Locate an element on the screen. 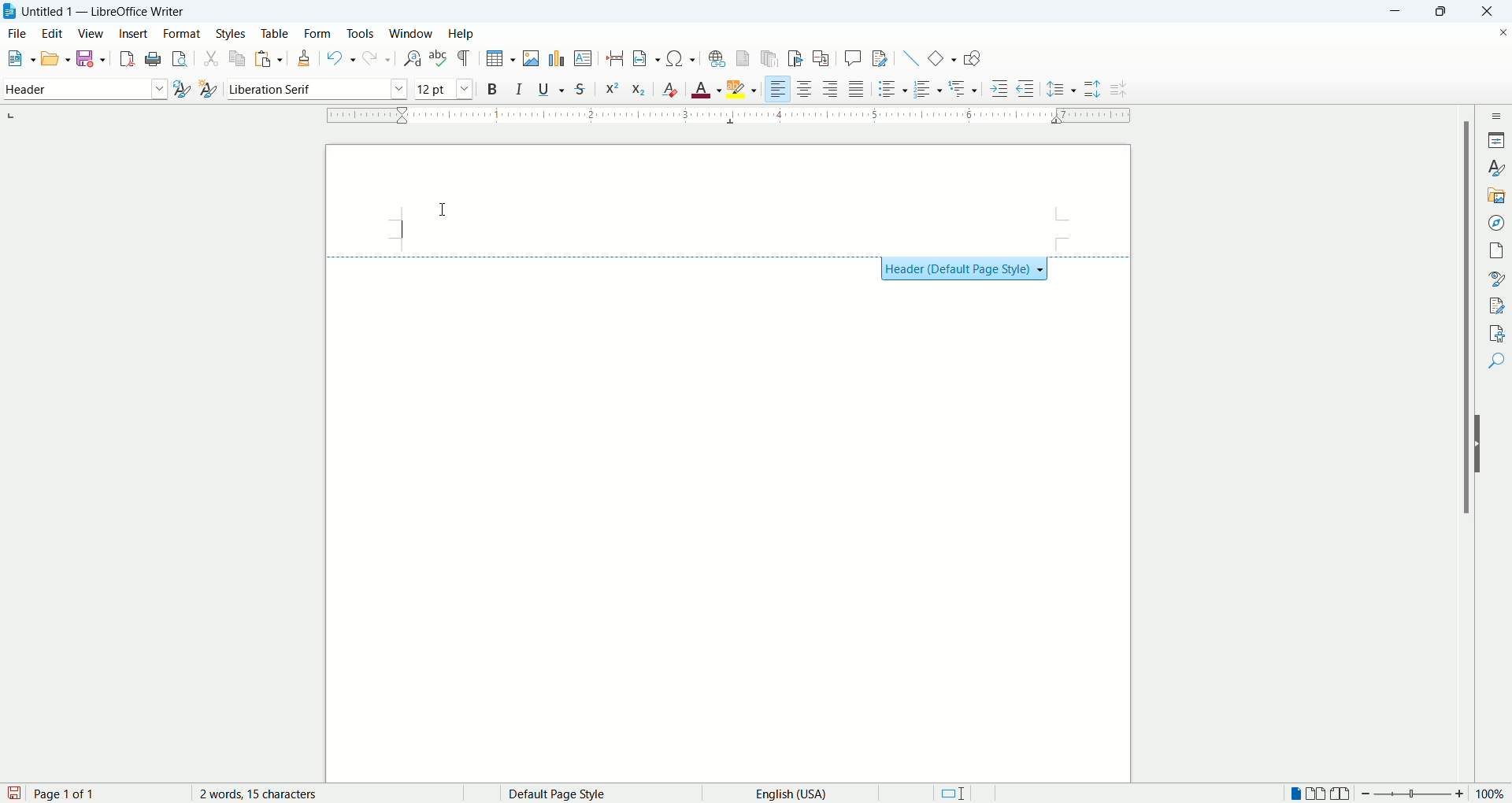 This screenshot has height=803, width=1512. close is located at coordinates (1492, 11).